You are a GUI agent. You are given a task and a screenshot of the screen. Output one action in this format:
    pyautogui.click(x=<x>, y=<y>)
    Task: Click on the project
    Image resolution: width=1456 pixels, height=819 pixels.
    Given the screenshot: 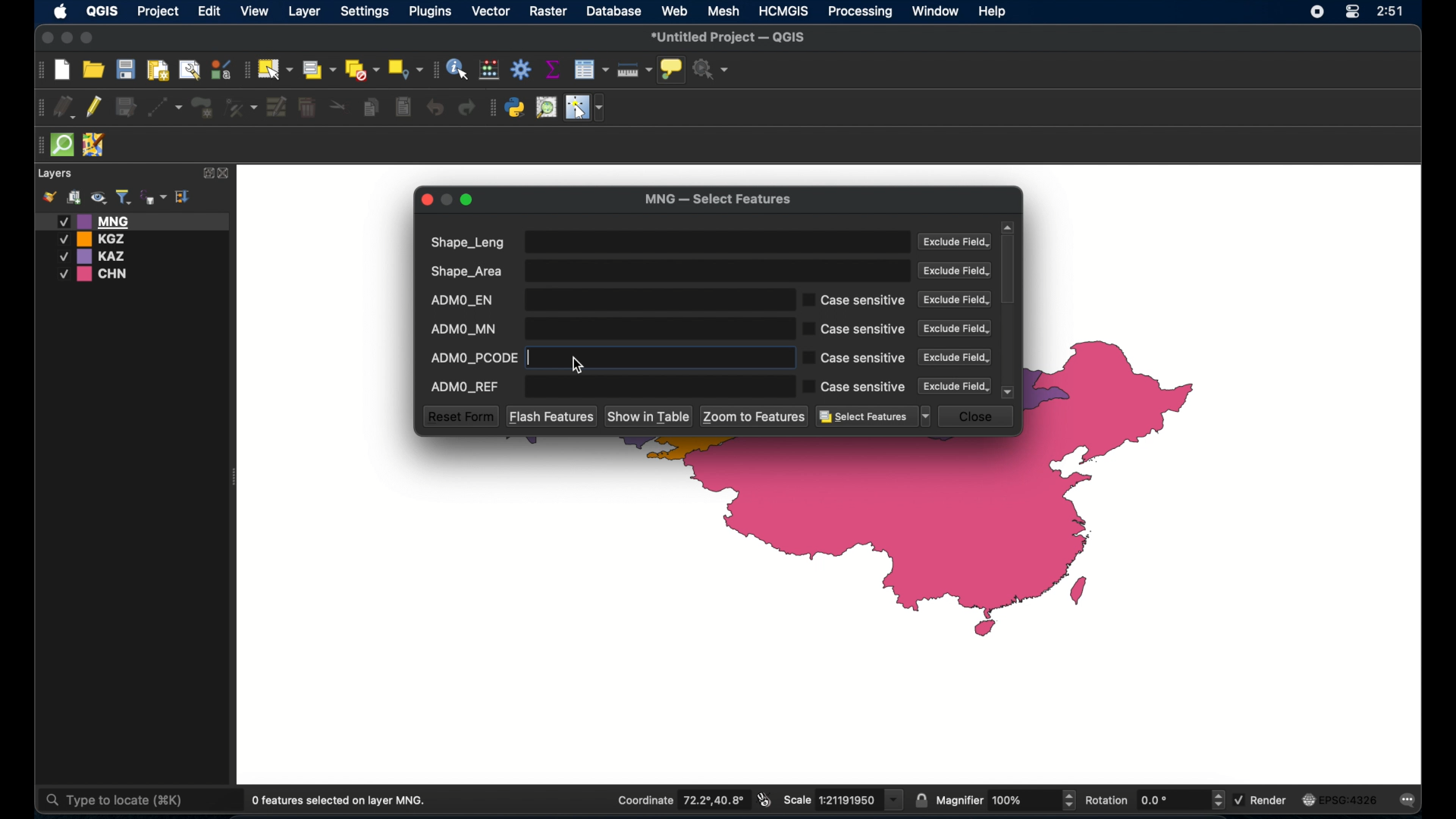 What is the action you would take?
    pyautogui.click(x=158, y=12)
    